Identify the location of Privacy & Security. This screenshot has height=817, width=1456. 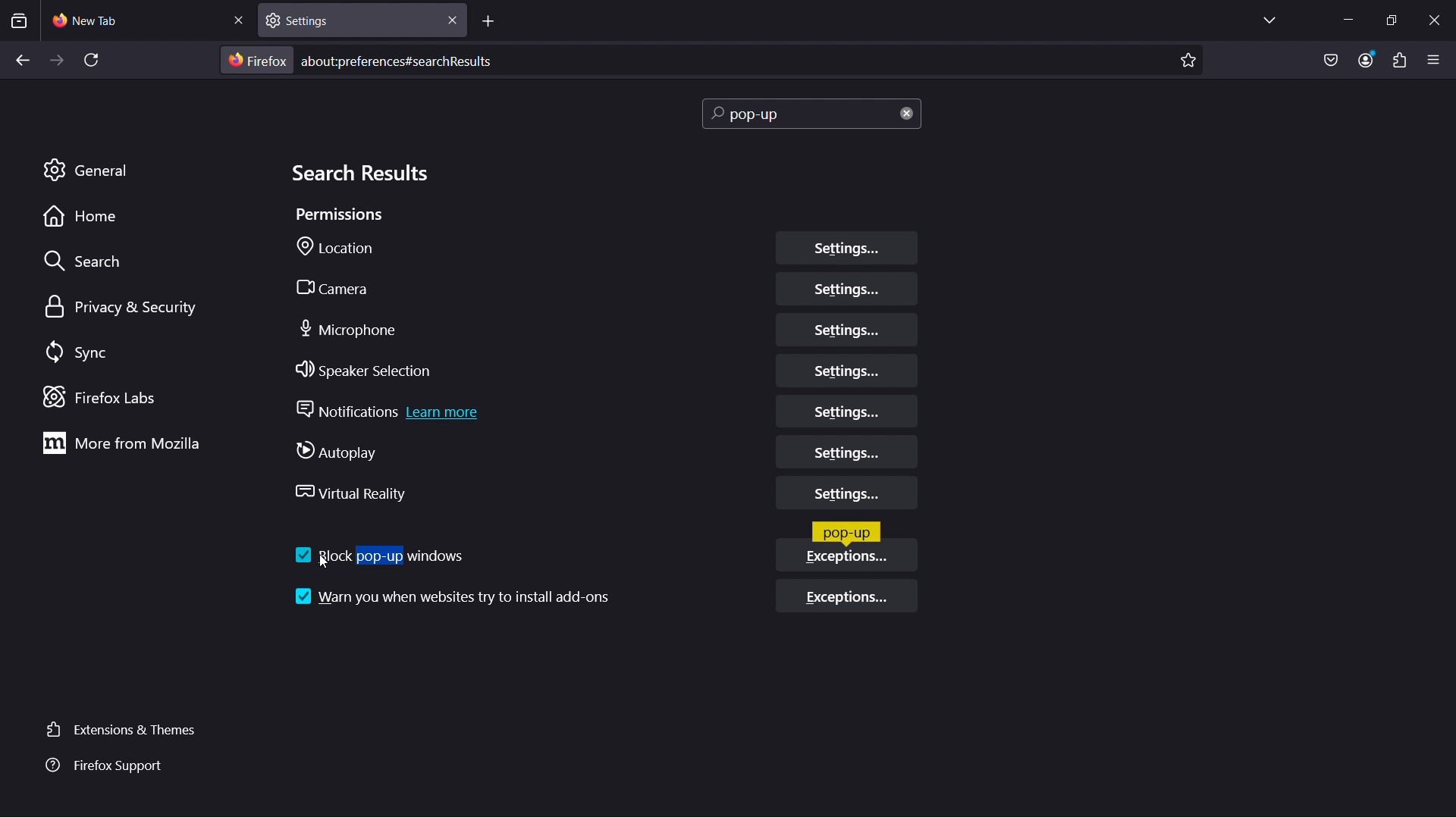
(124, 305).